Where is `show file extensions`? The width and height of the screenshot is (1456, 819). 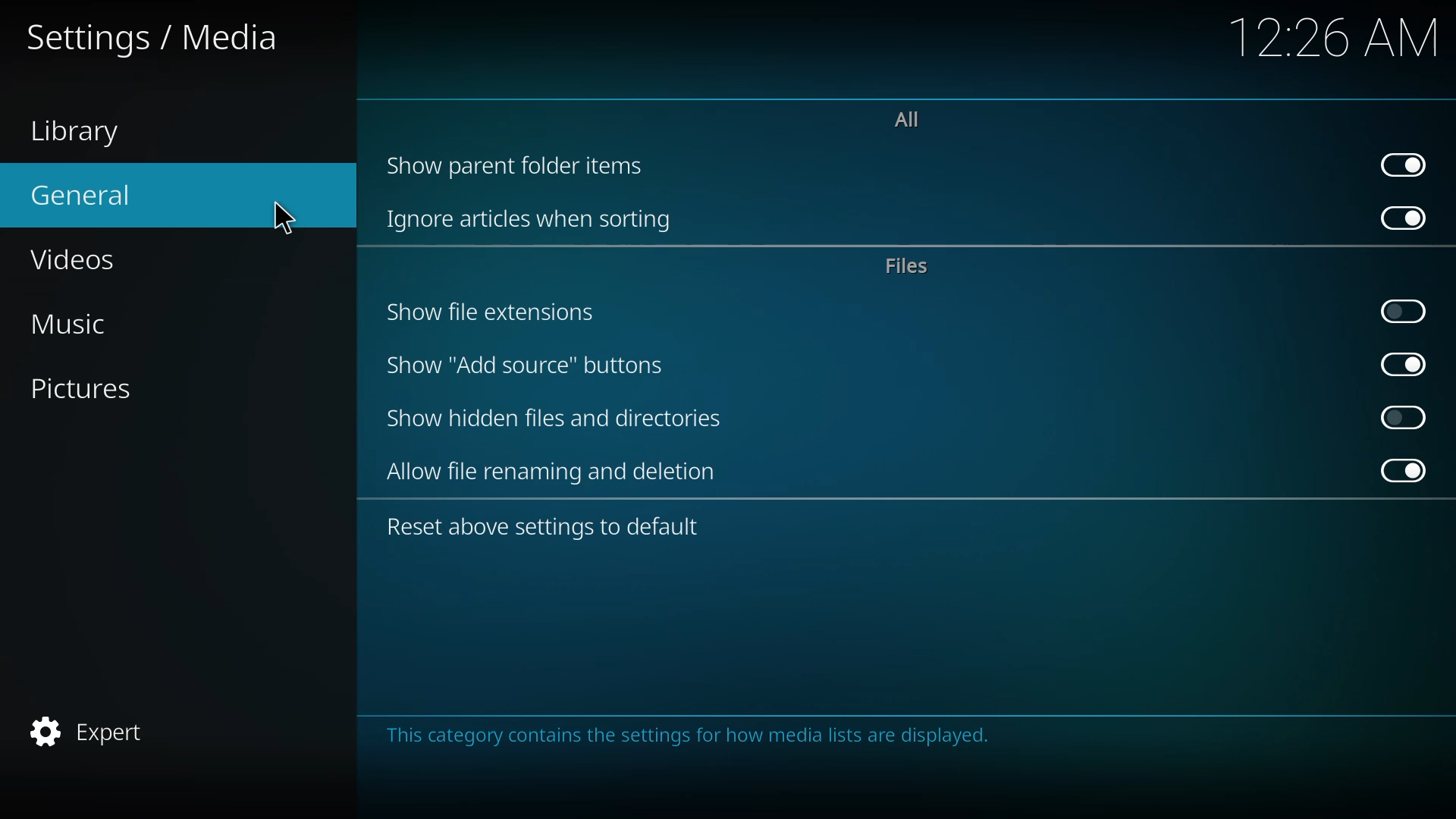 show file extensions is located at coordinates (497, 312).